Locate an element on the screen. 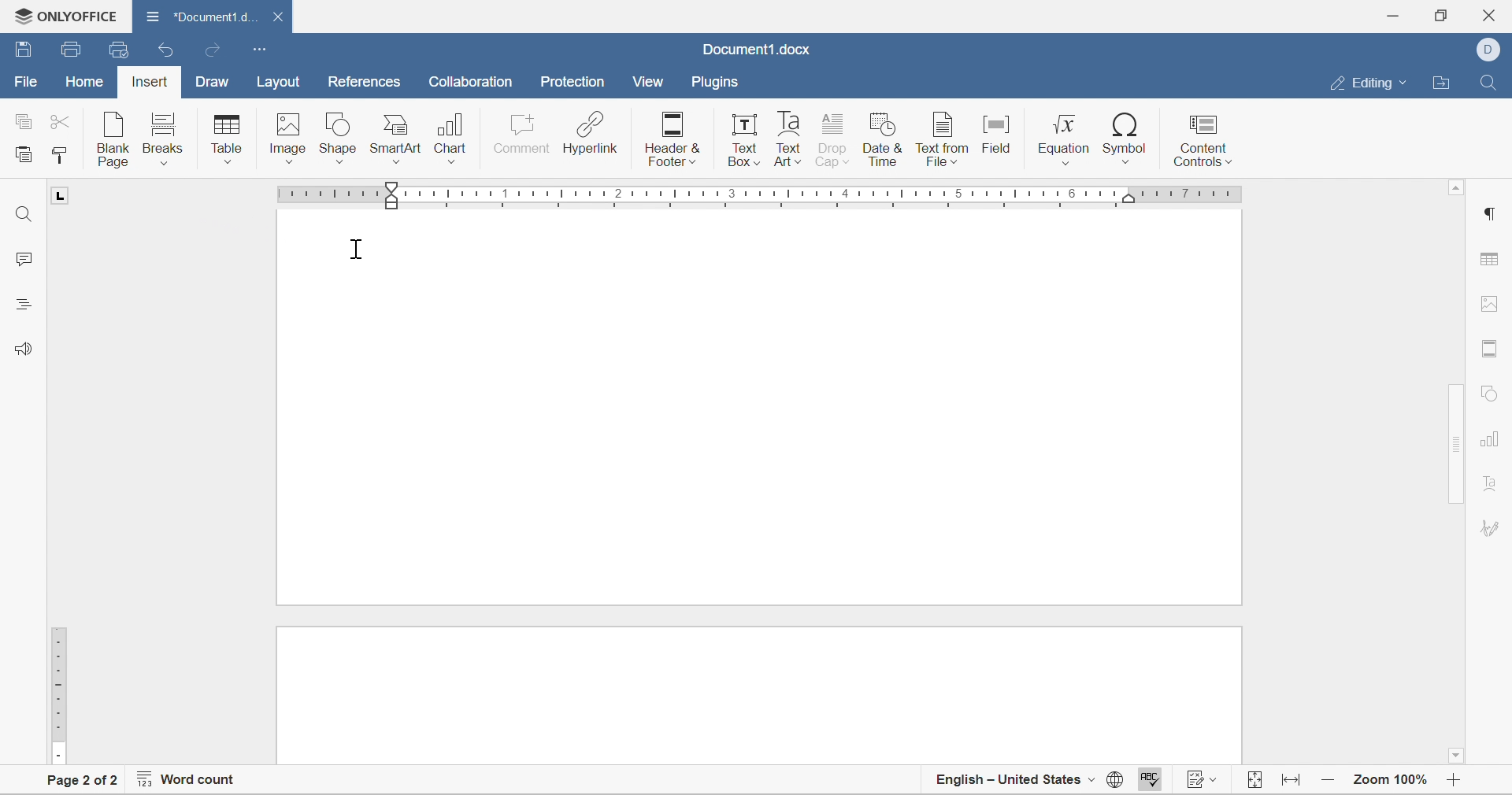 The height and width of the screenshot is (795, 1512). Page 2 of 2 is located at coordinates (82, 781).